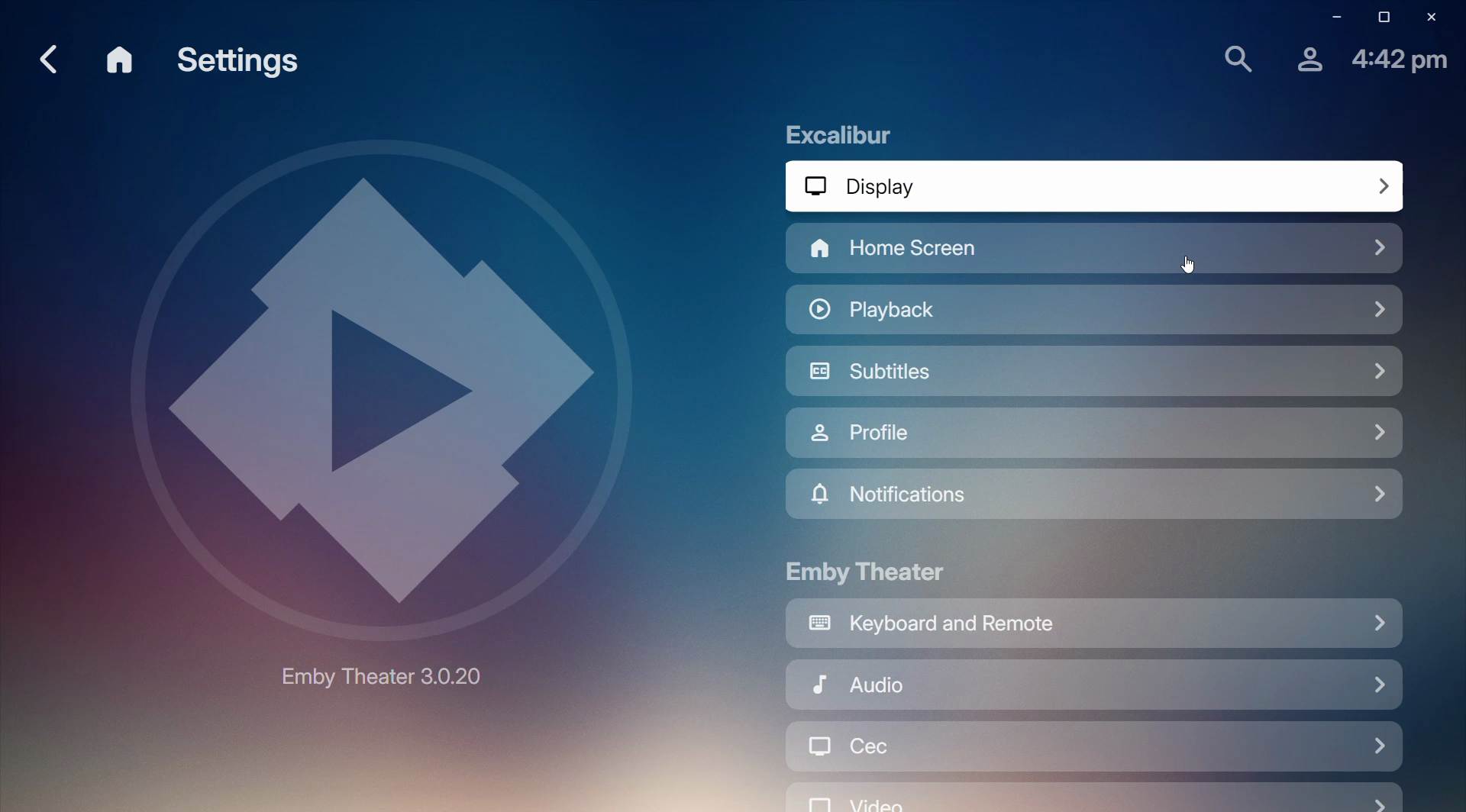  Describe the element at coordinates (871, 569) in the screenshot. I see `Emby Theater` at that location.